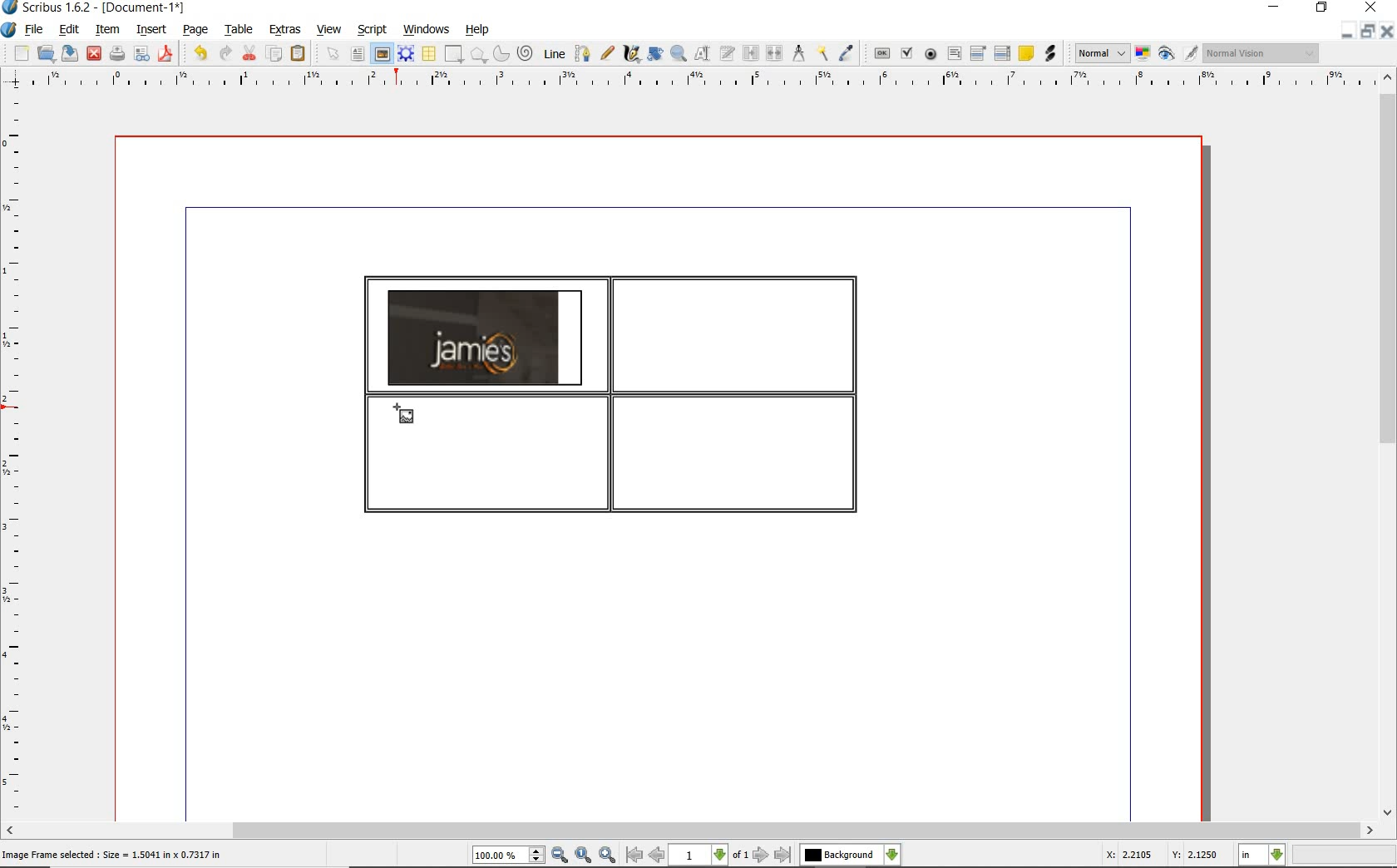 This screenshot has width=1397, height=868. Describe the element at coordinates (479, 56) in the screenshot. I see `shape` at that location.